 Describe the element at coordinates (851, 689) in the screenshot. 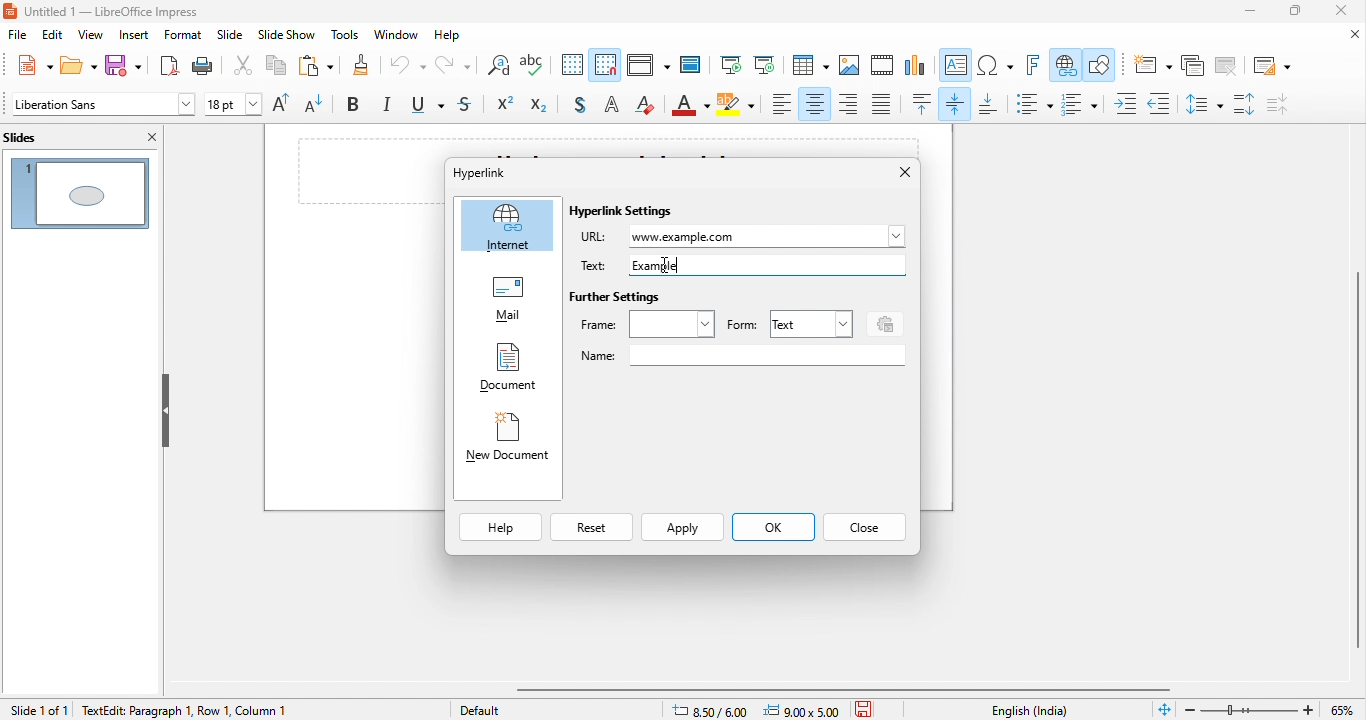

I see `horizontal scroll bar` at that location.